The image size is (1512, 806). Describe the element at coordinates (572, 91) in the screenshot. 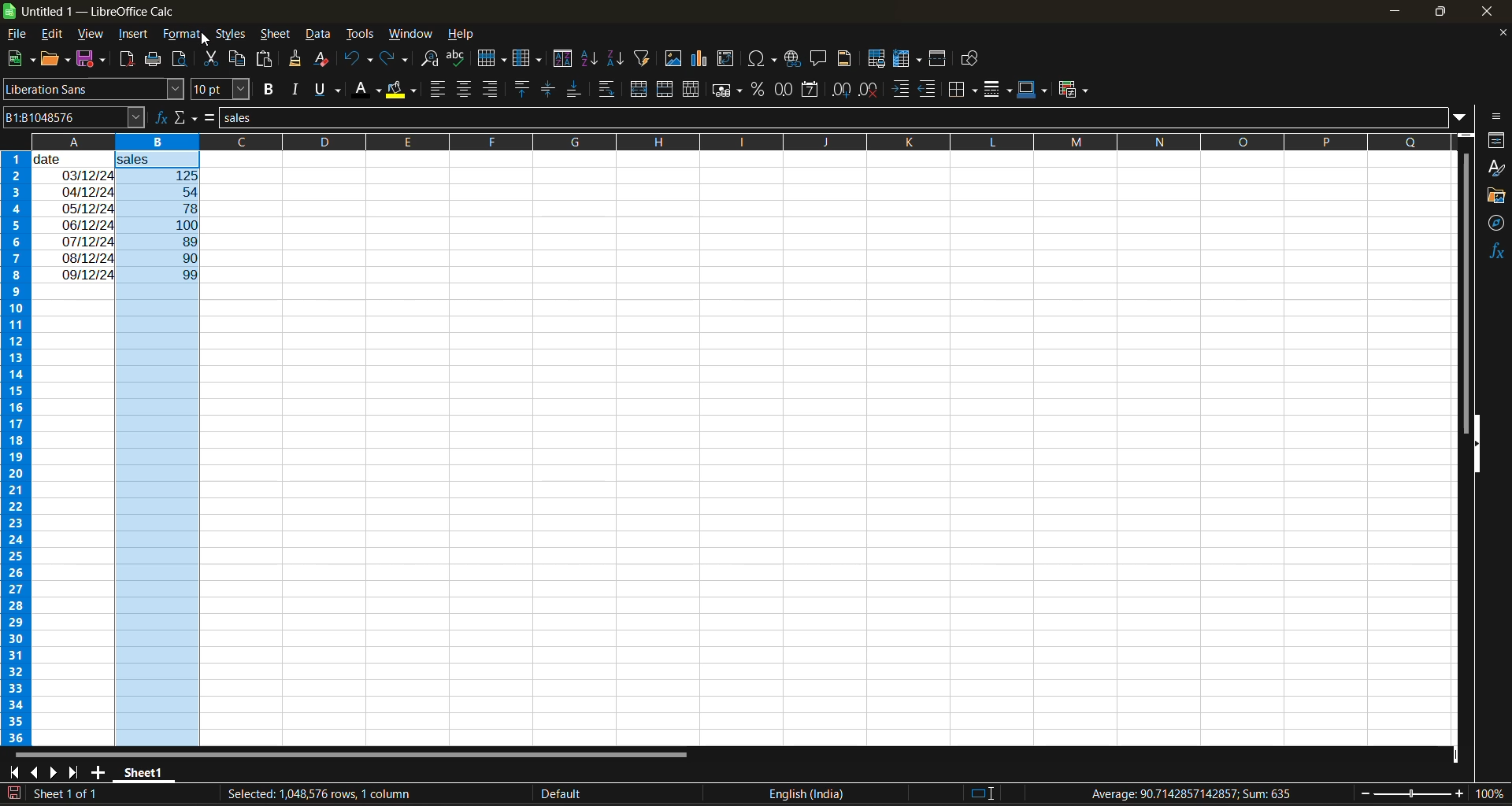

I see `align bottom` at that location.